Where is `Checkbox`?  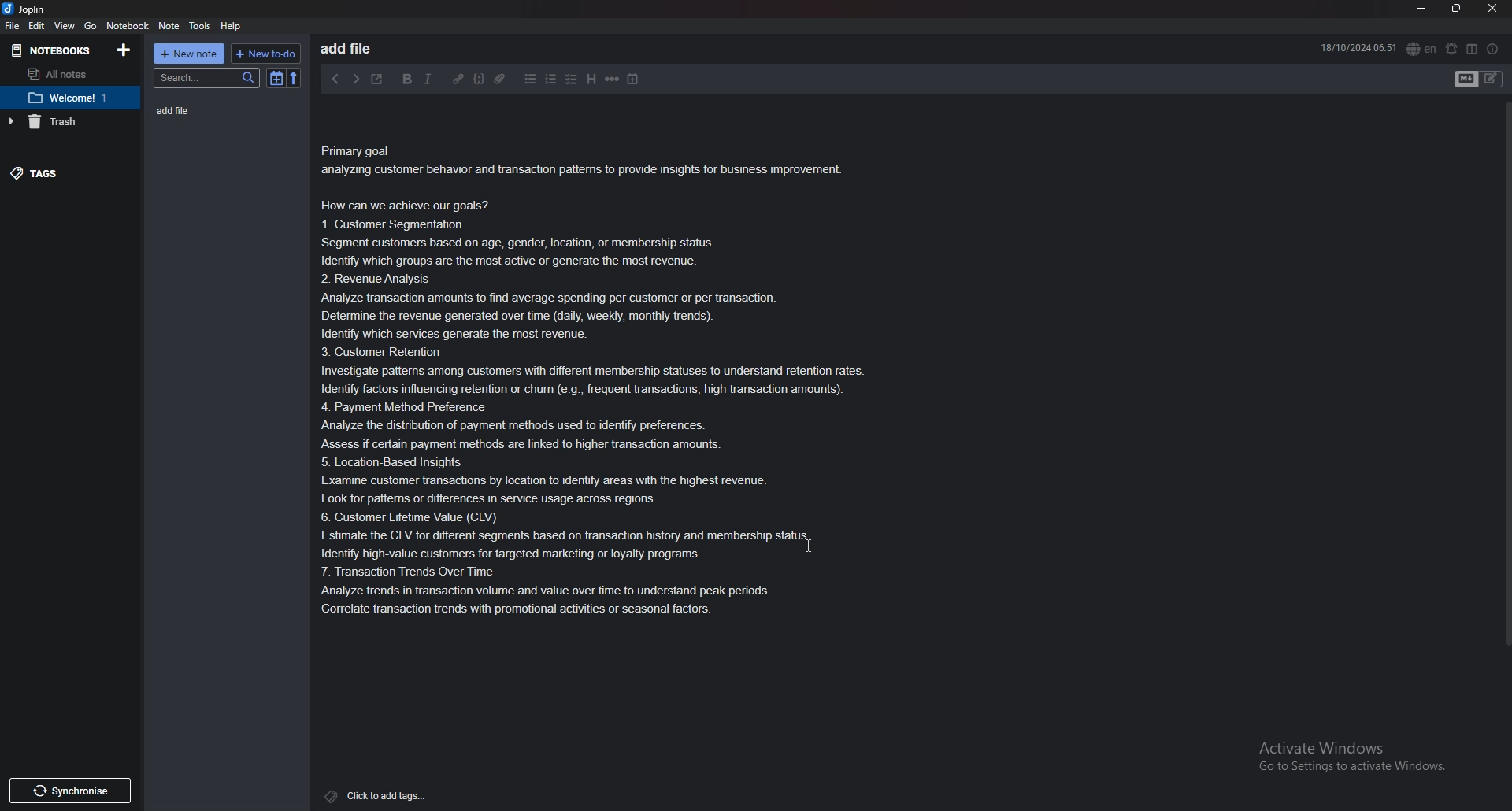
Checkbox is located at coordinates (570, 80).